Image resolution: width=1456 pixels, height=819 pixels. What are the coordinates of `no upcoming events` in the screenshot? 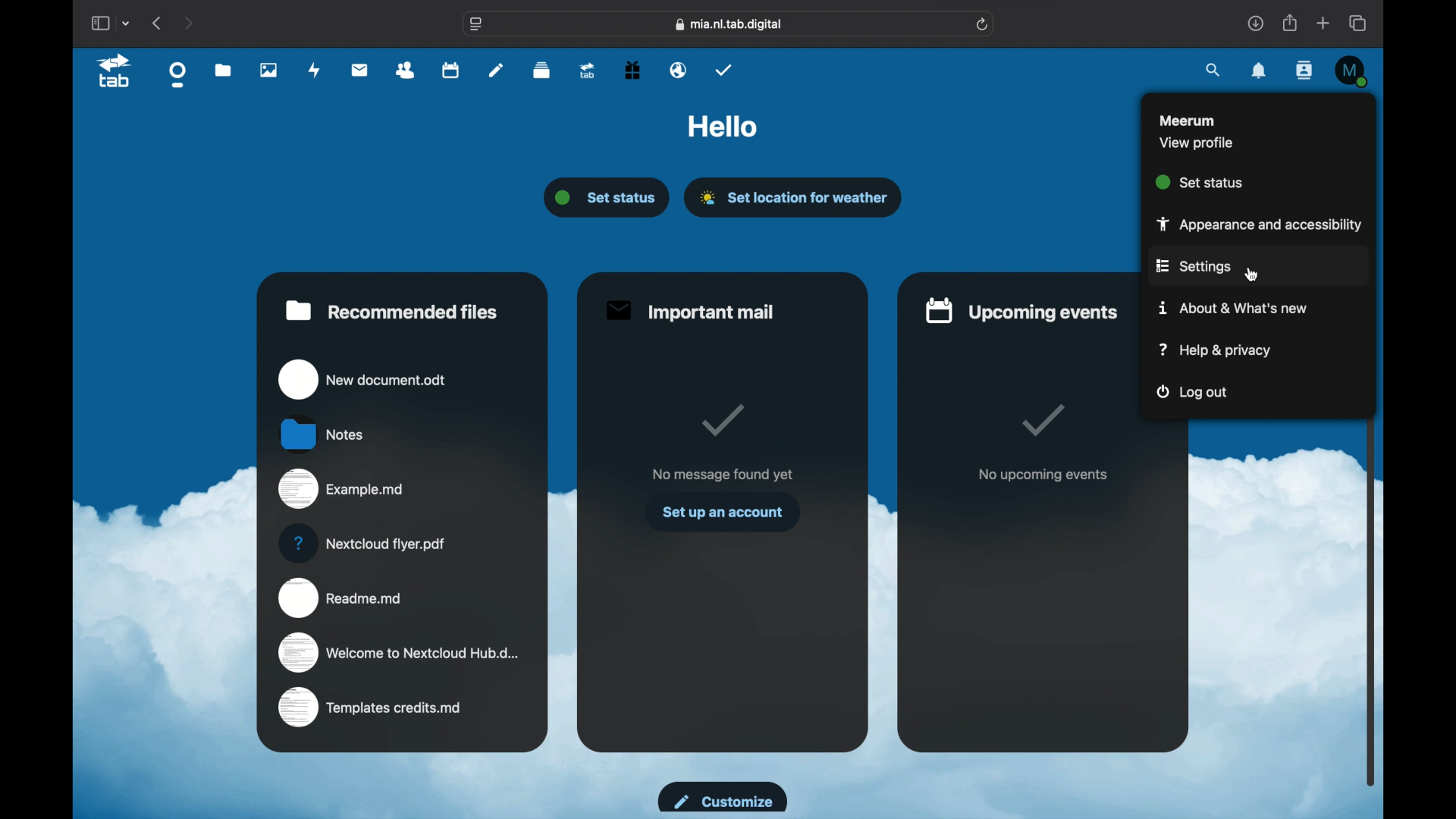 It's located at (1043, 474).